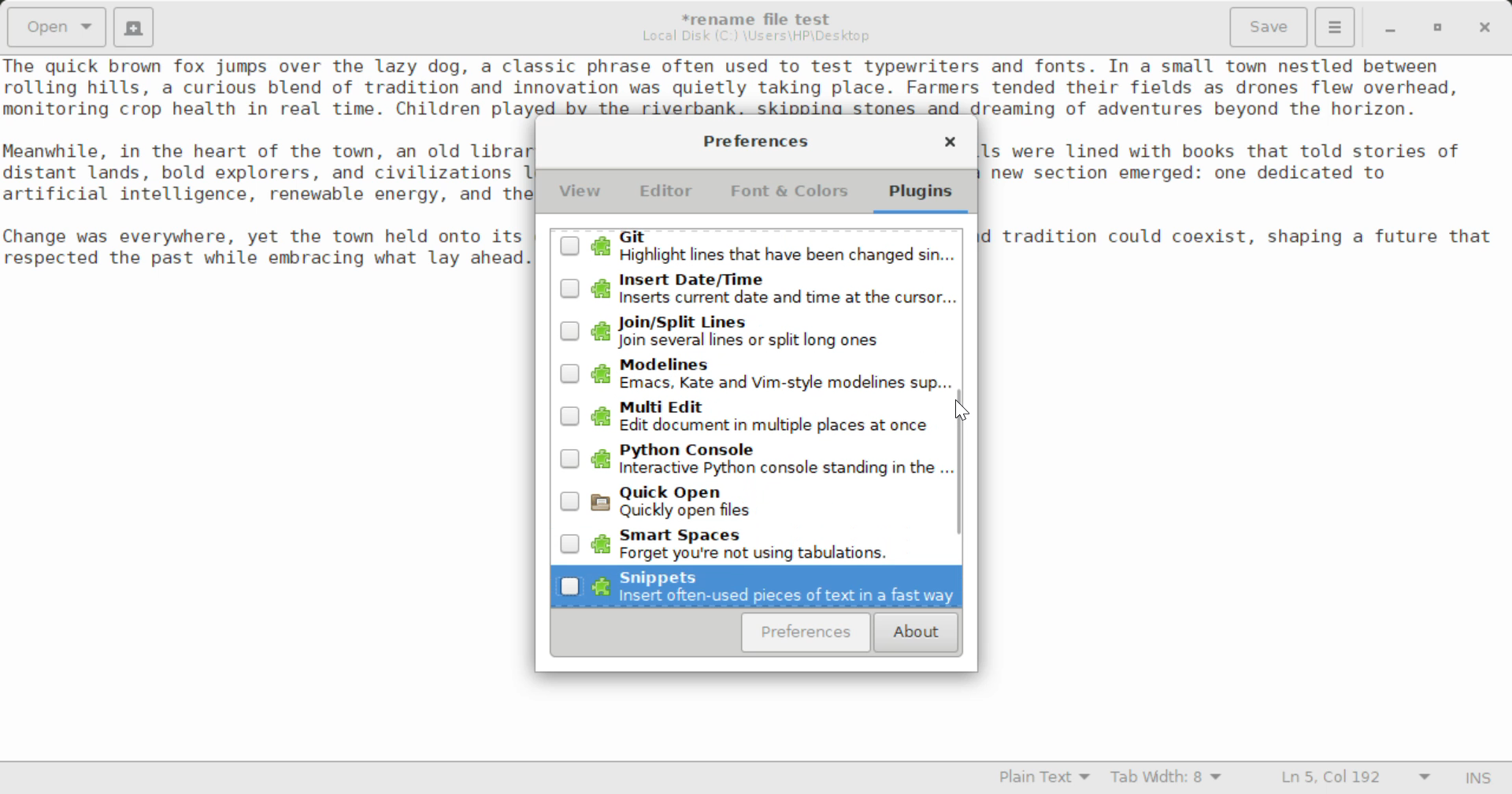  I want to click on Sample text about a charming town, so click(756, 86).